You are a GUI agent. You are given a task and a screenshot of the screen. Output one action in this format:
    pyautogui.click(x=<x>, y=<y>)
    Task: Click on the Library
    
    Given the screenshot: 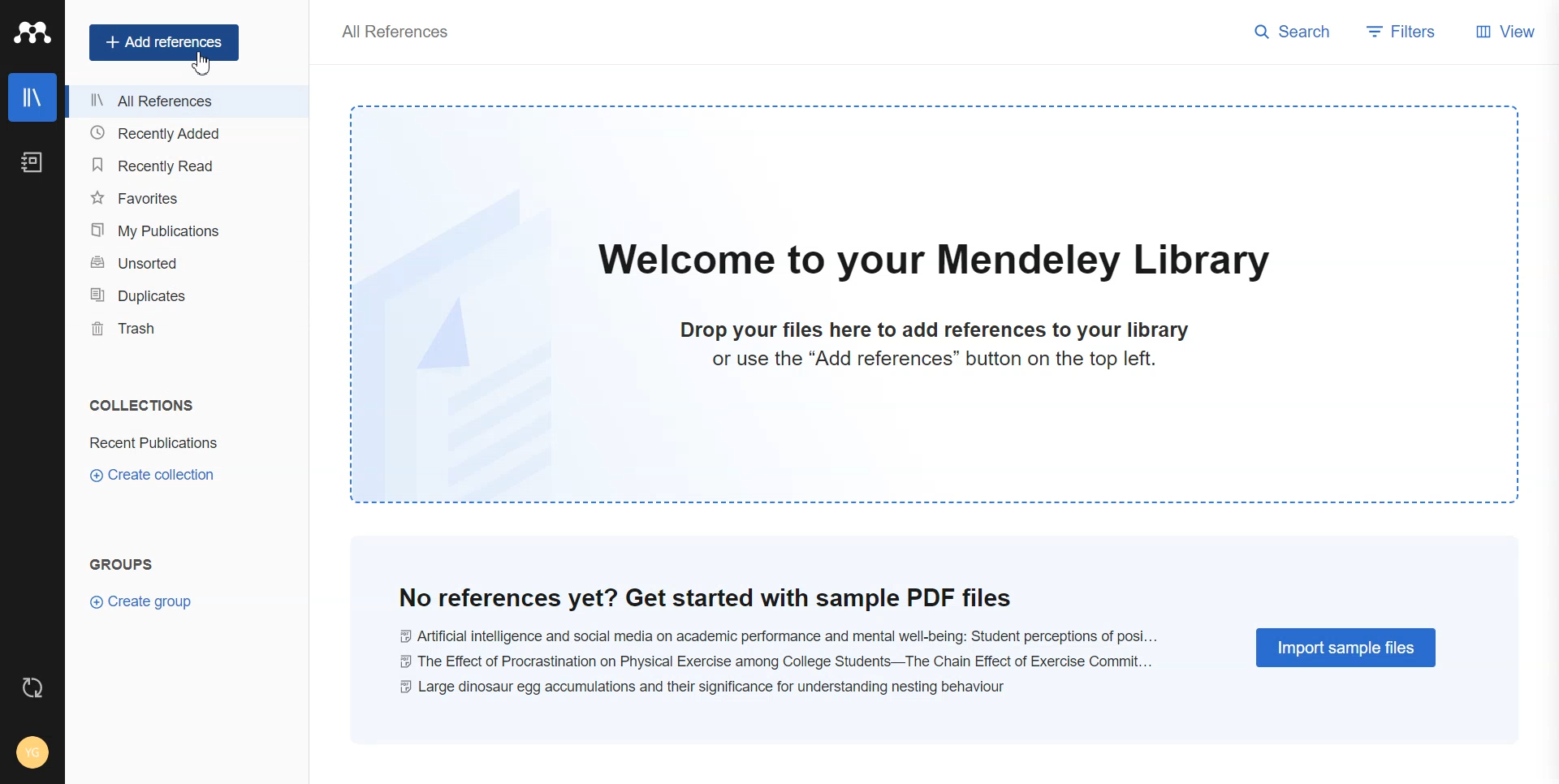 What is the action you would take?
    pyautogui.click(x=33, y=97)
    